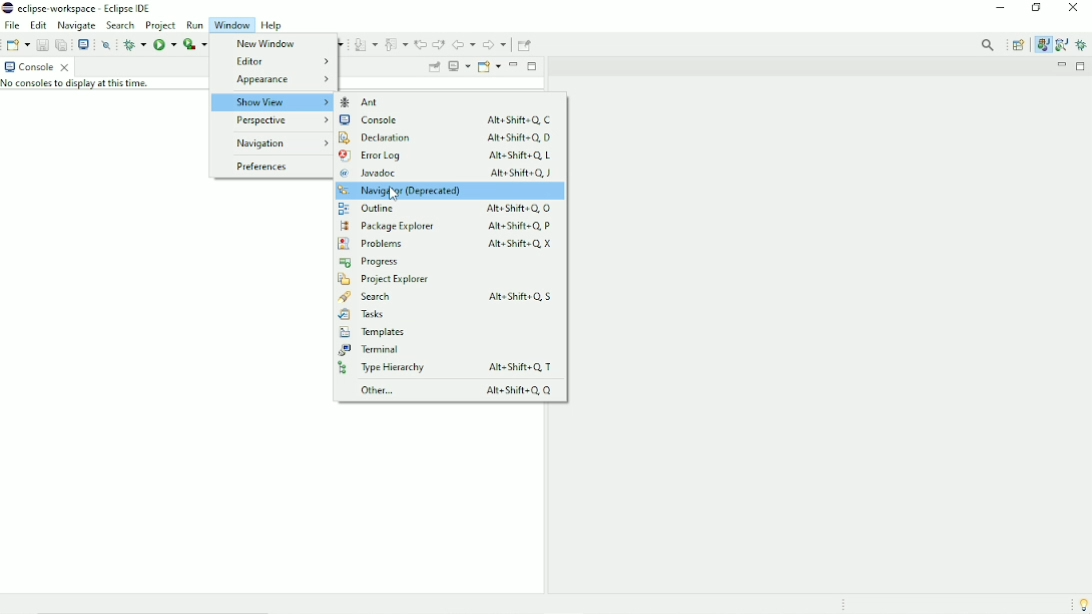 The image size is (1092, 614). I want to click on Maximize, so click(1082, 66).